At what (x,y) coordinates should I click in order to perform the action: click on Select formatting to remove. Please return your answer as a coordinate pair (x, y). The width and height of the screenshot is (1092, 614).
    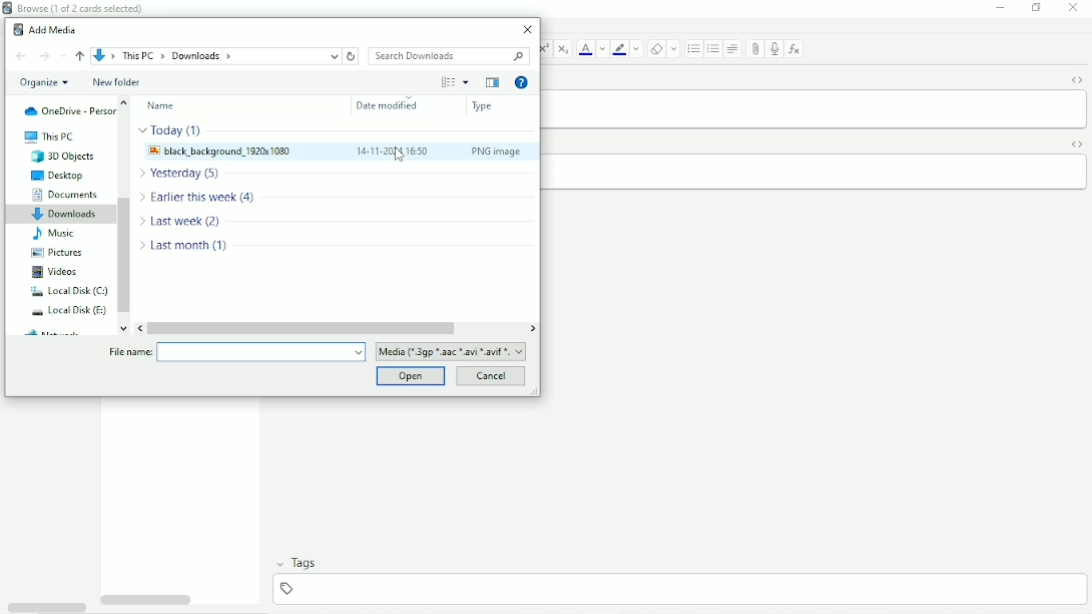
    Looking at the image, I should click on (675, 49).